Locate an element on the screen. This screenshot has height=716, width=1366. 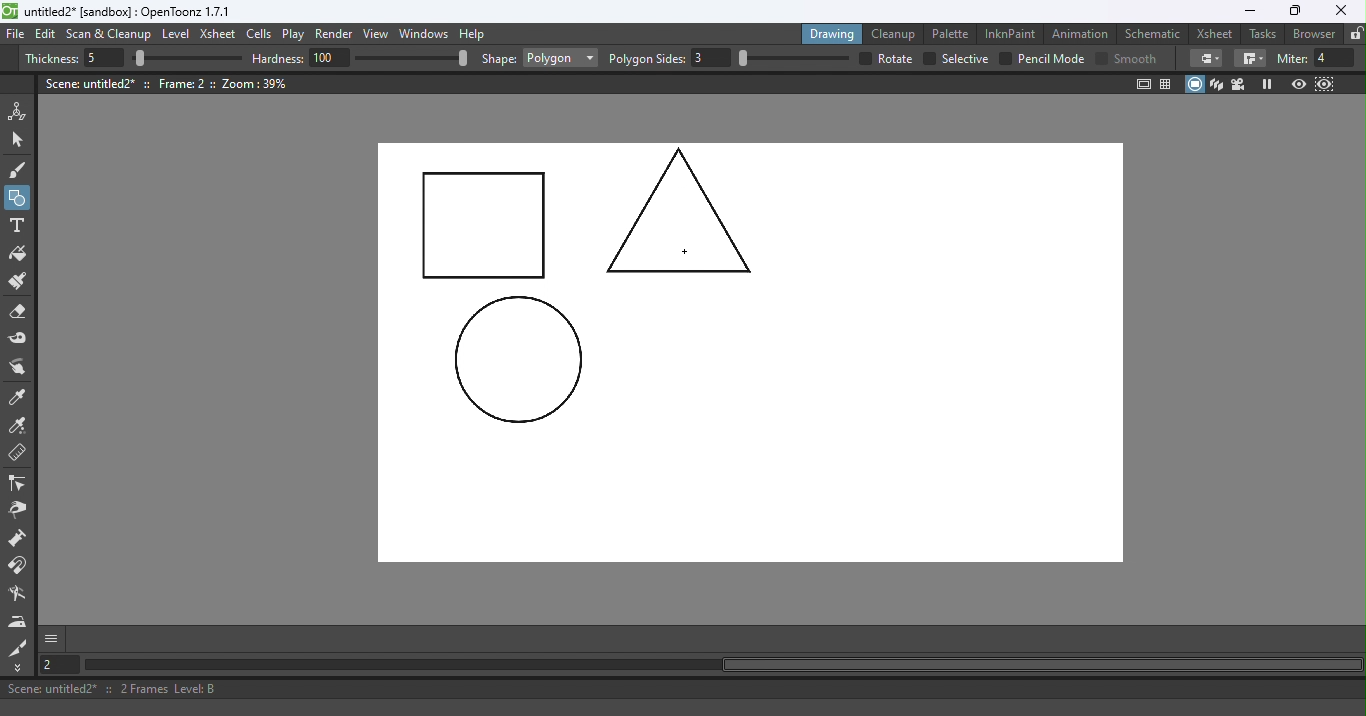
Cursor is located at coordinates (688, 253).